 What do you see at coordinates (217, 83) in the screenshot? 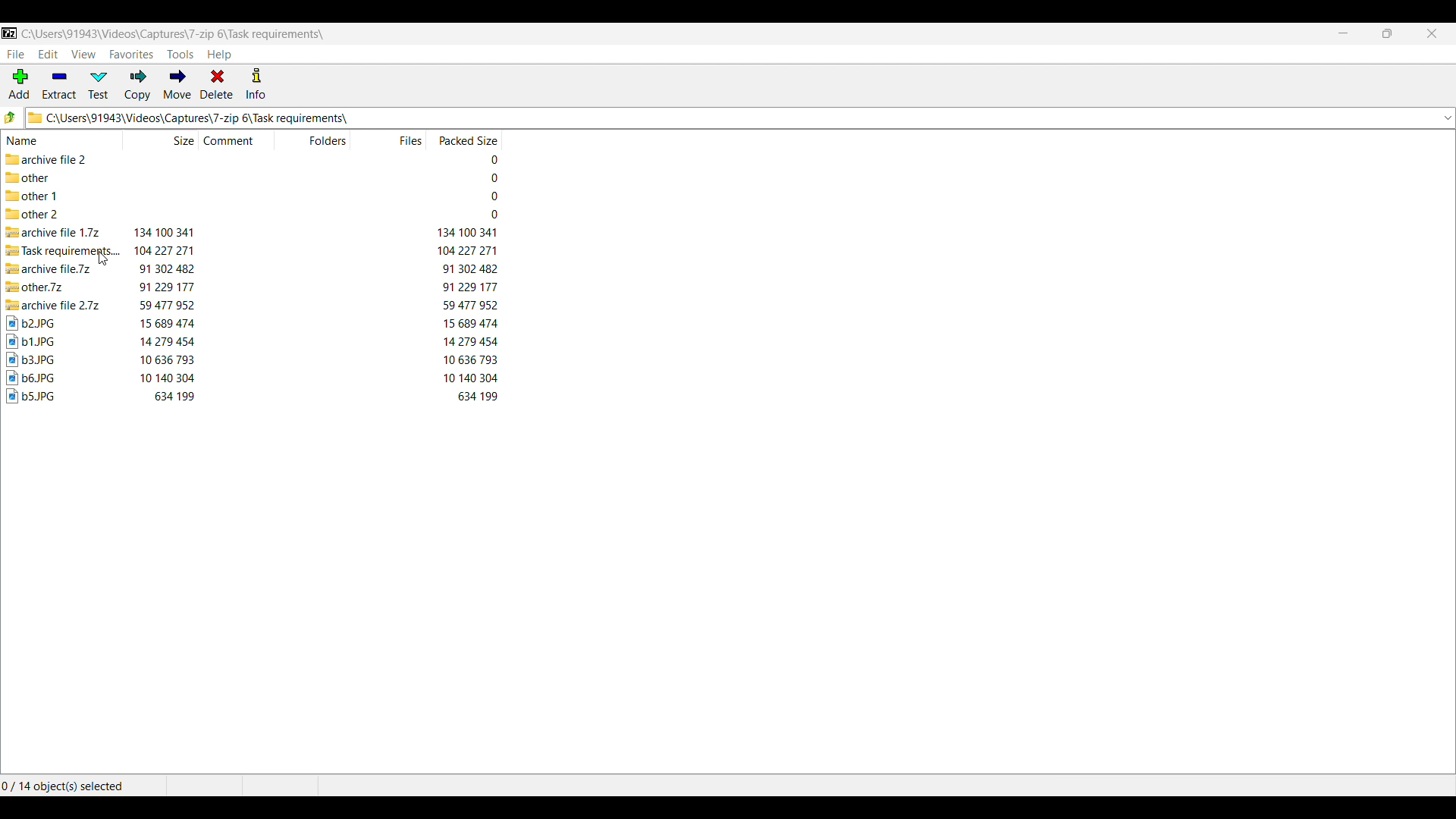
I see `Delete` at bounding box center [217, 83].